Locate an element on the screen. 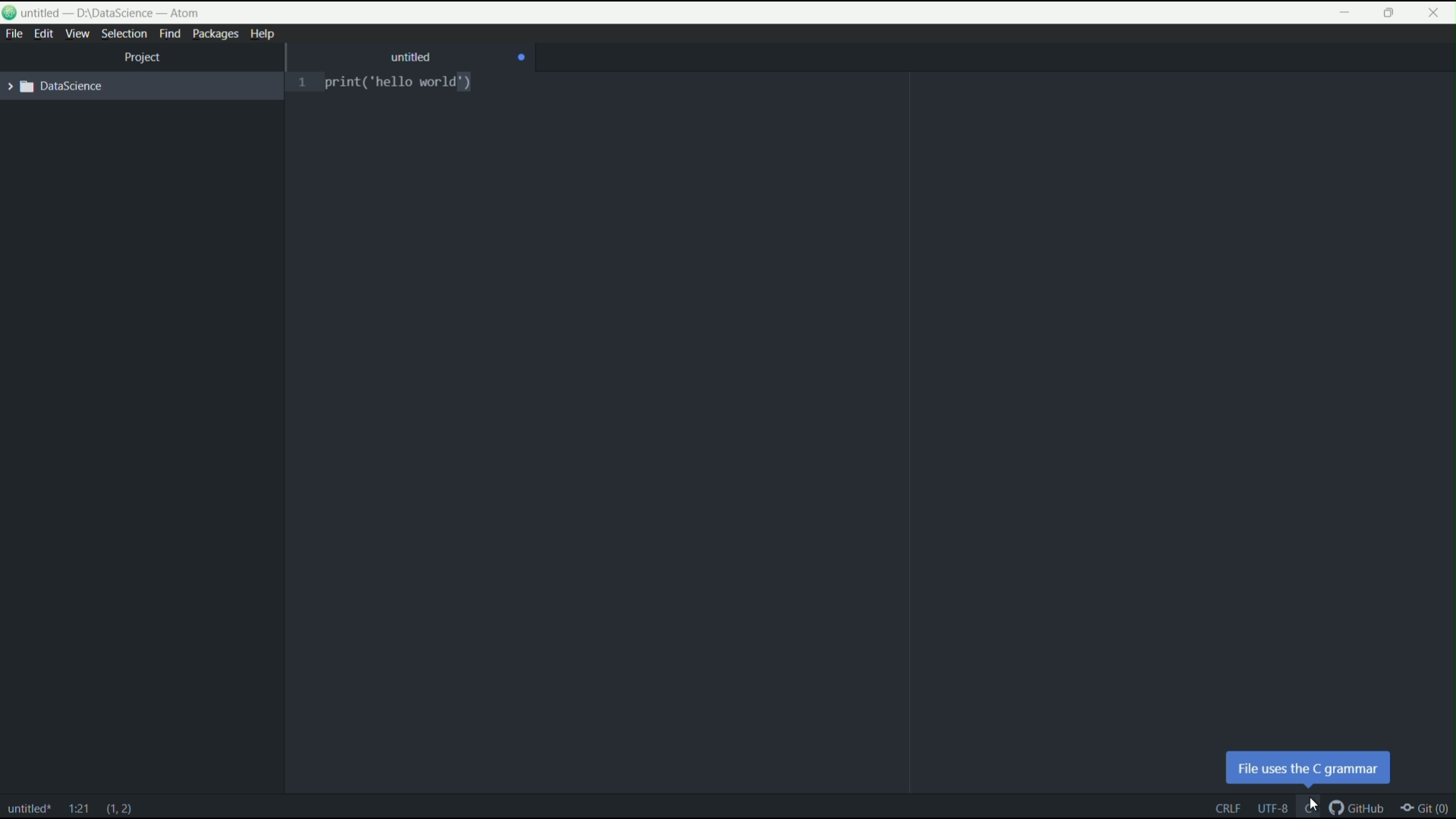  minimize is located at coordinates (1346, 13).